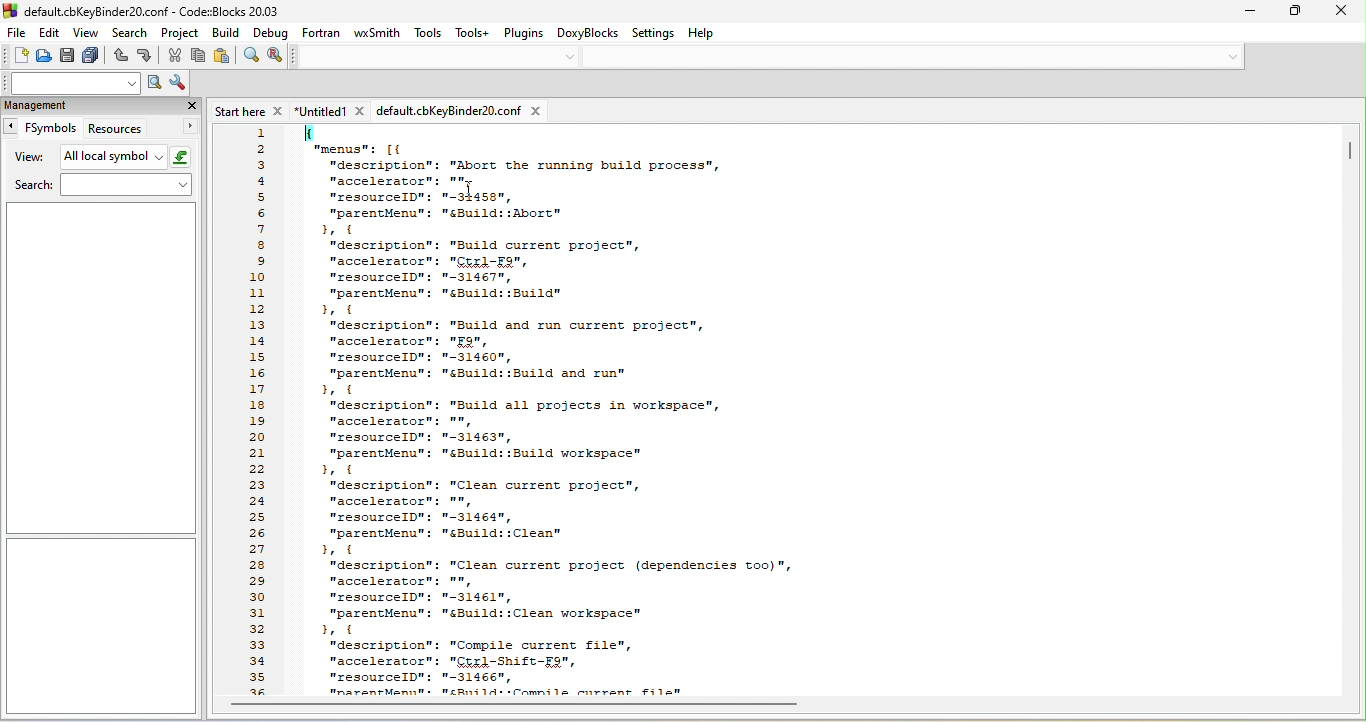 Image resolution: width=1366 pixels, height=722 pixels. What do you see at coordinates (1344, 13) in the screenshot?
I see `close` at bounding box center [1344, 13].